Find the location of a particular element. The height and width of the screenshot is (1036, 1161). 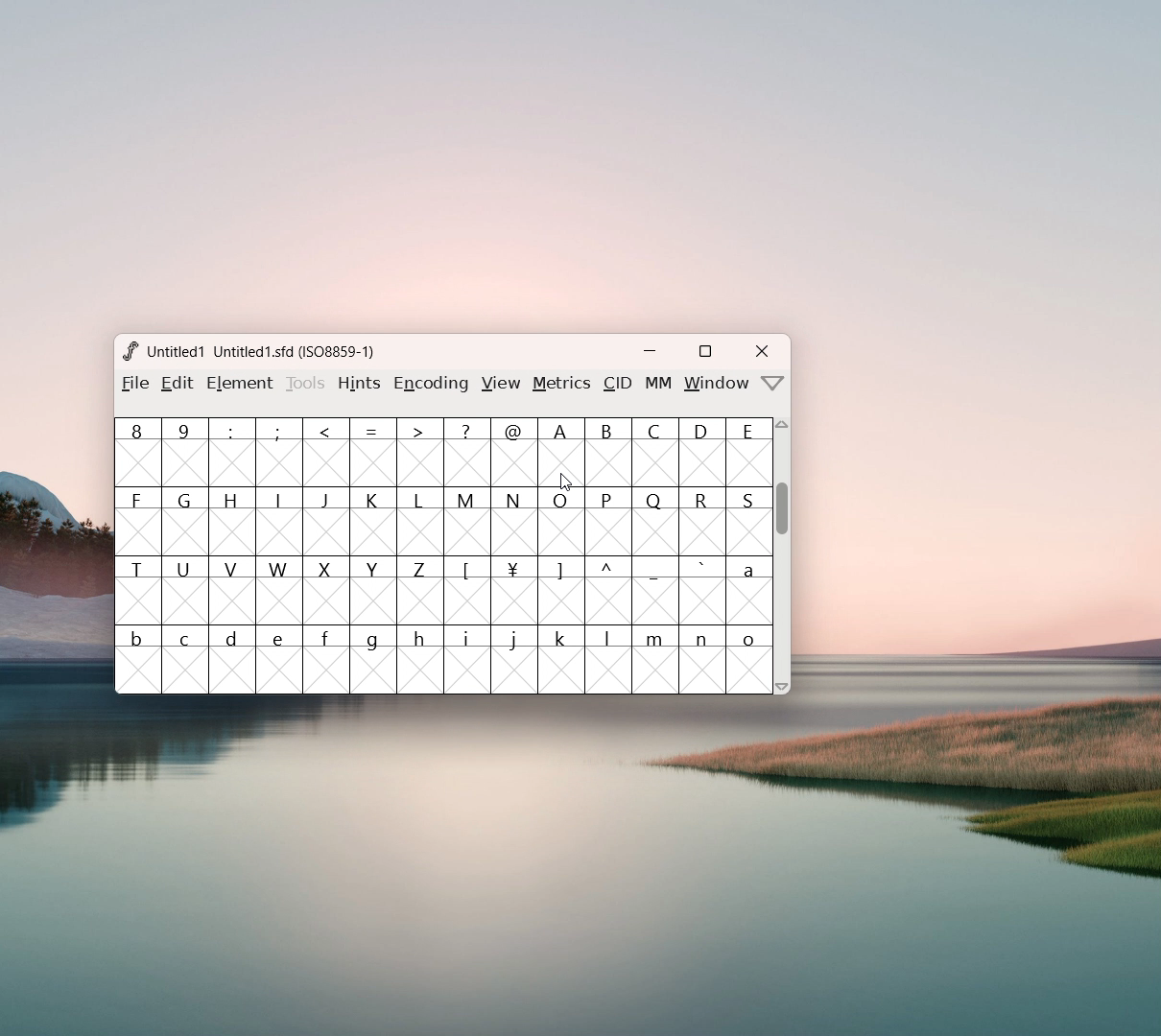

C is located at coordinates (655, 452).